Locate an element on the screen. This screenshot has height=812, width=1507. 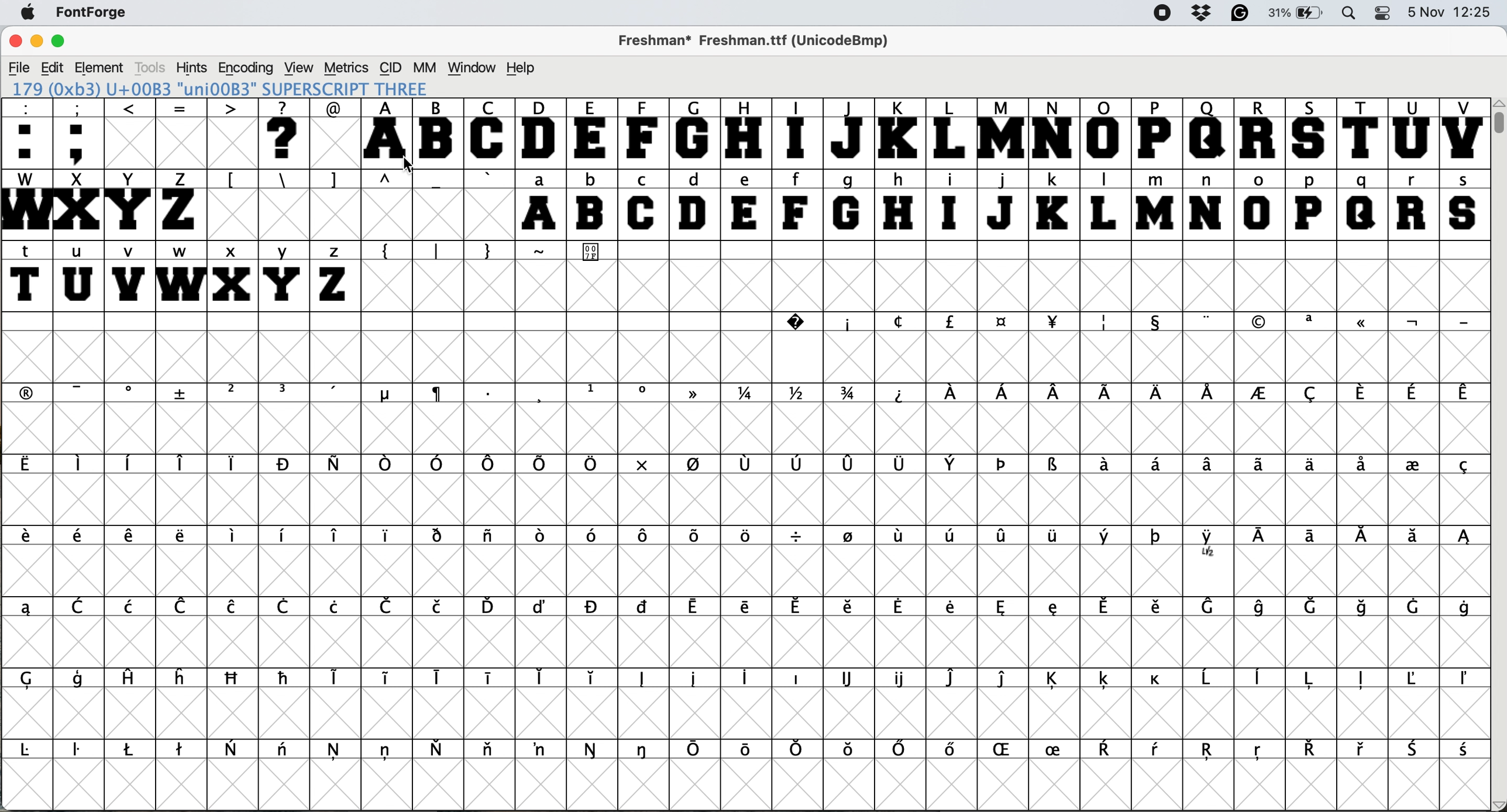
symbol is located at coordinates (902, 393).